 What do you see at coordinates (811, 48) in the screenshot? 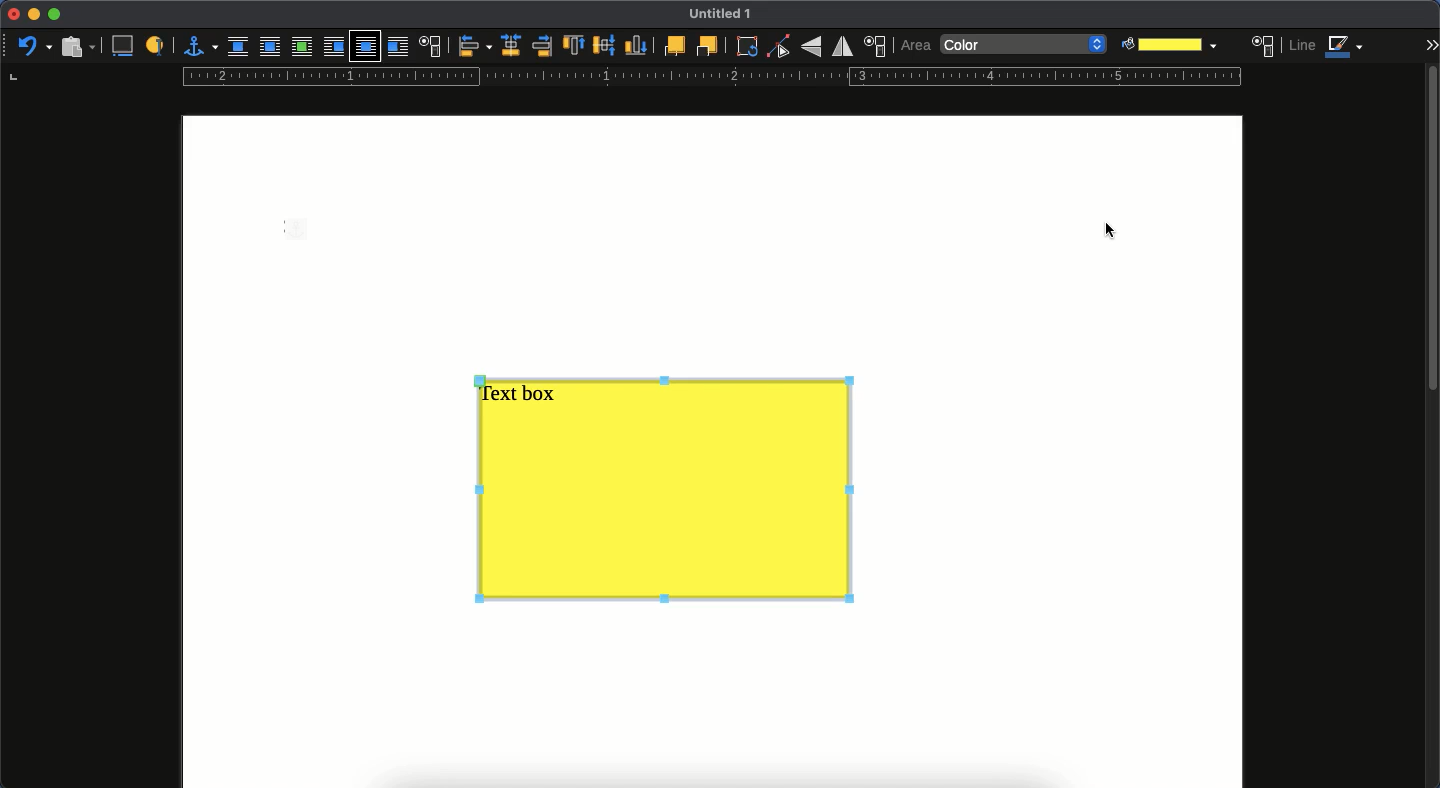
I see `rotate vertically` at bounding box center [811, 48].